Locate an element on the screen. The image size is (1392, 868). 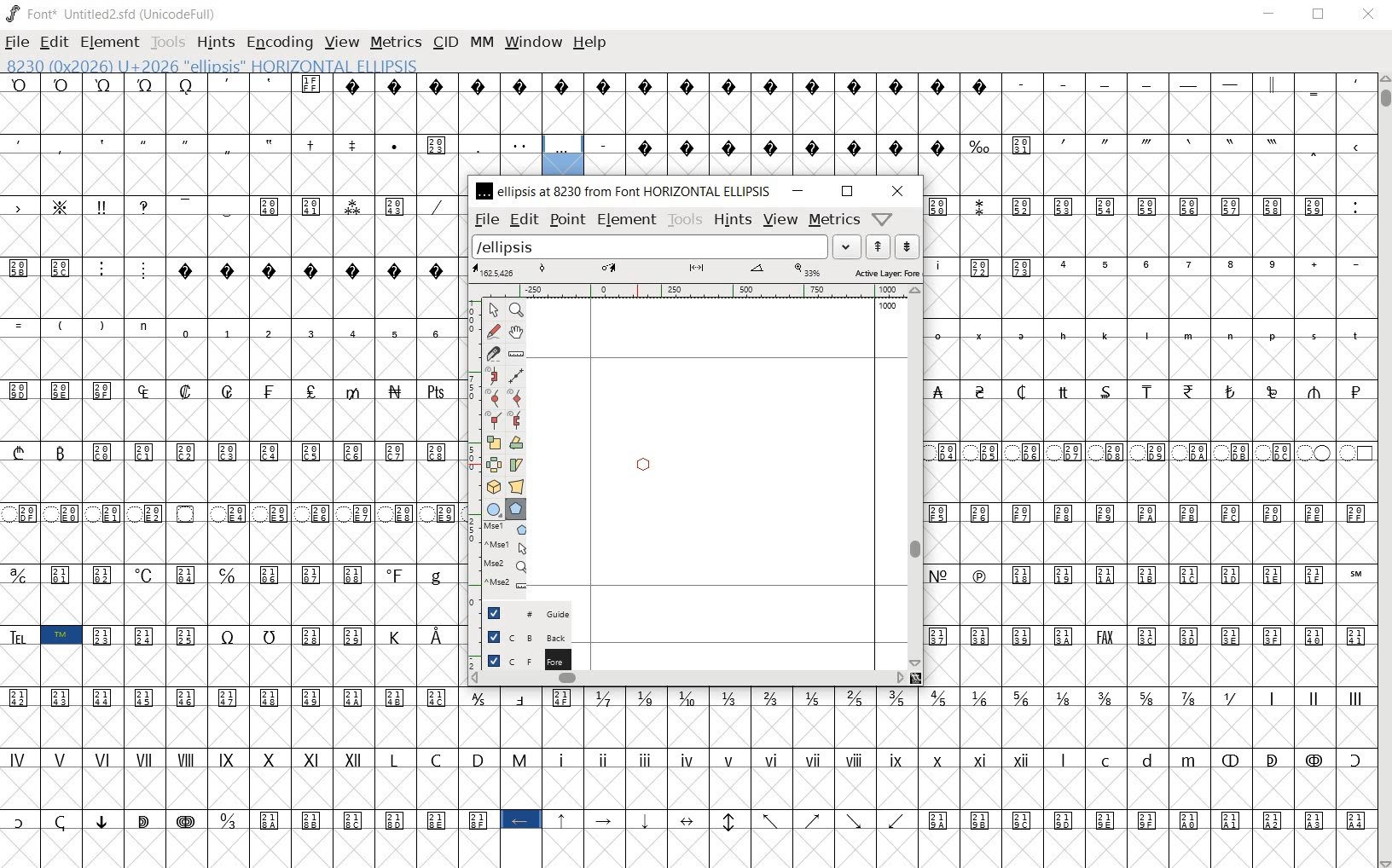
active layer: FOREGROUND is located at coordinates (698, 271).